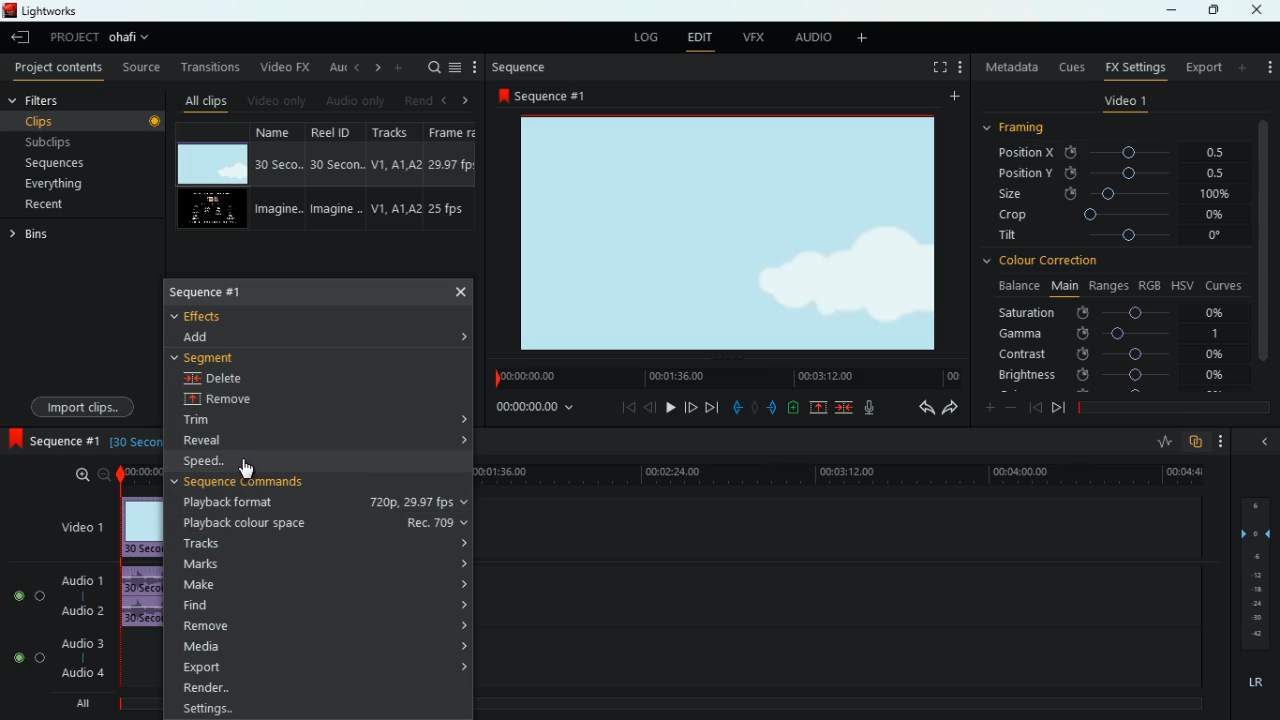  I want to click on rend, so click(412, 98).